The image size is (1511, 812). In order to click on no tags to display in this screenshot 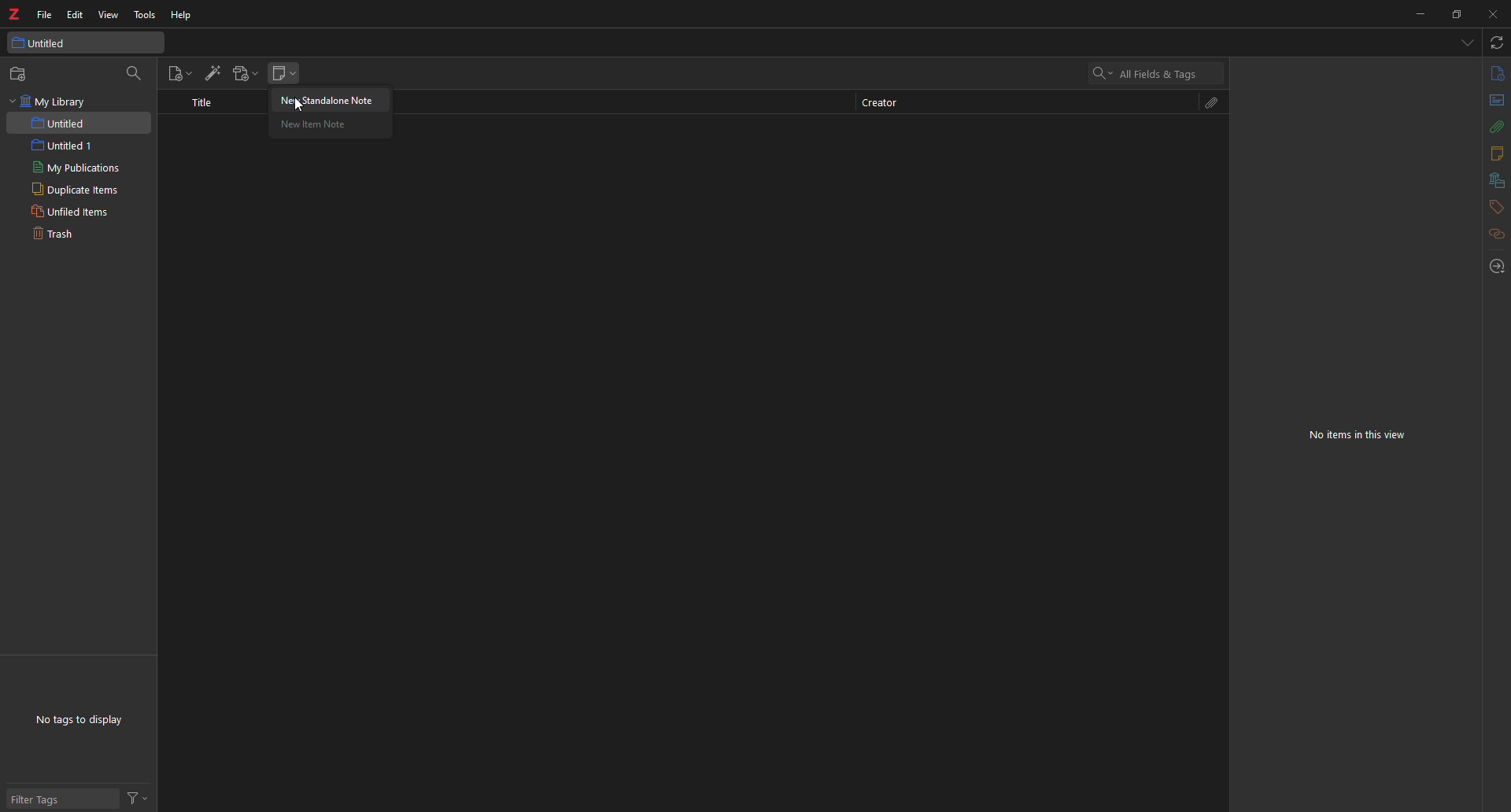, I will do `click(87, 722)`.